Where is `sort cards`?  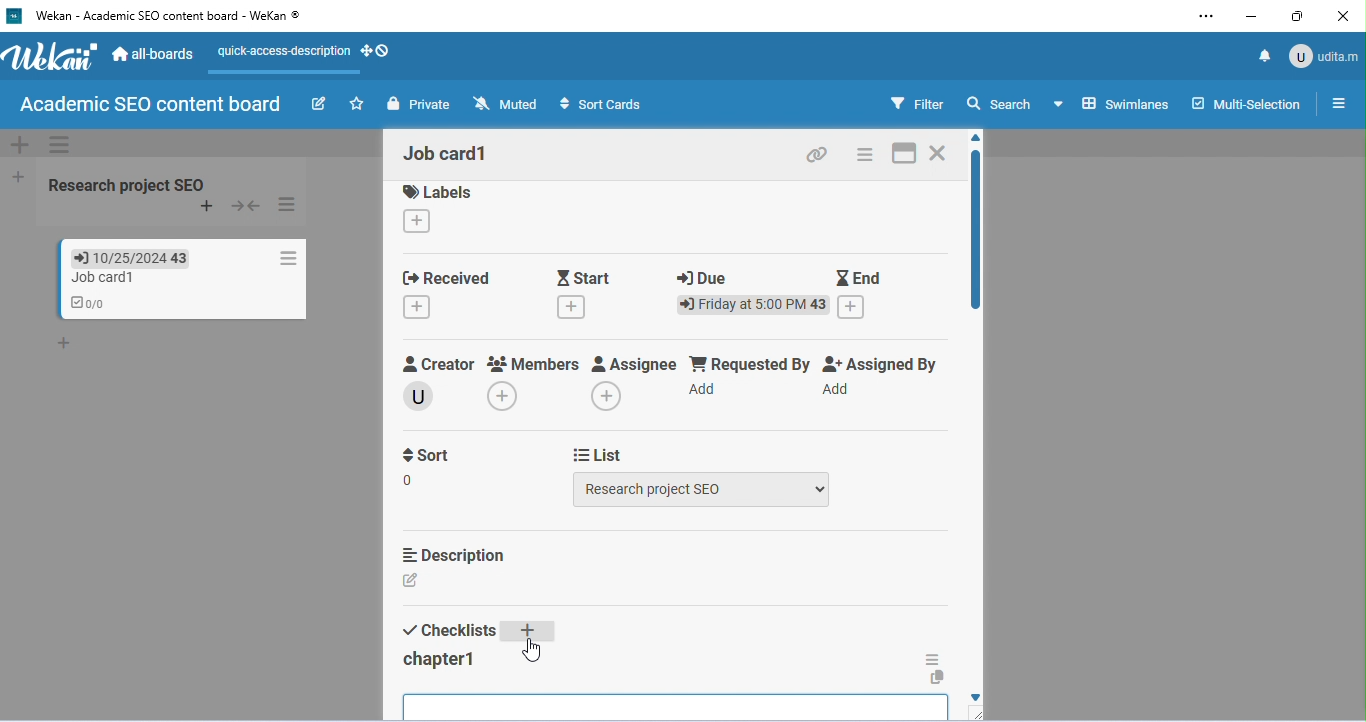
sort cards is located at coordinates (603, 105).